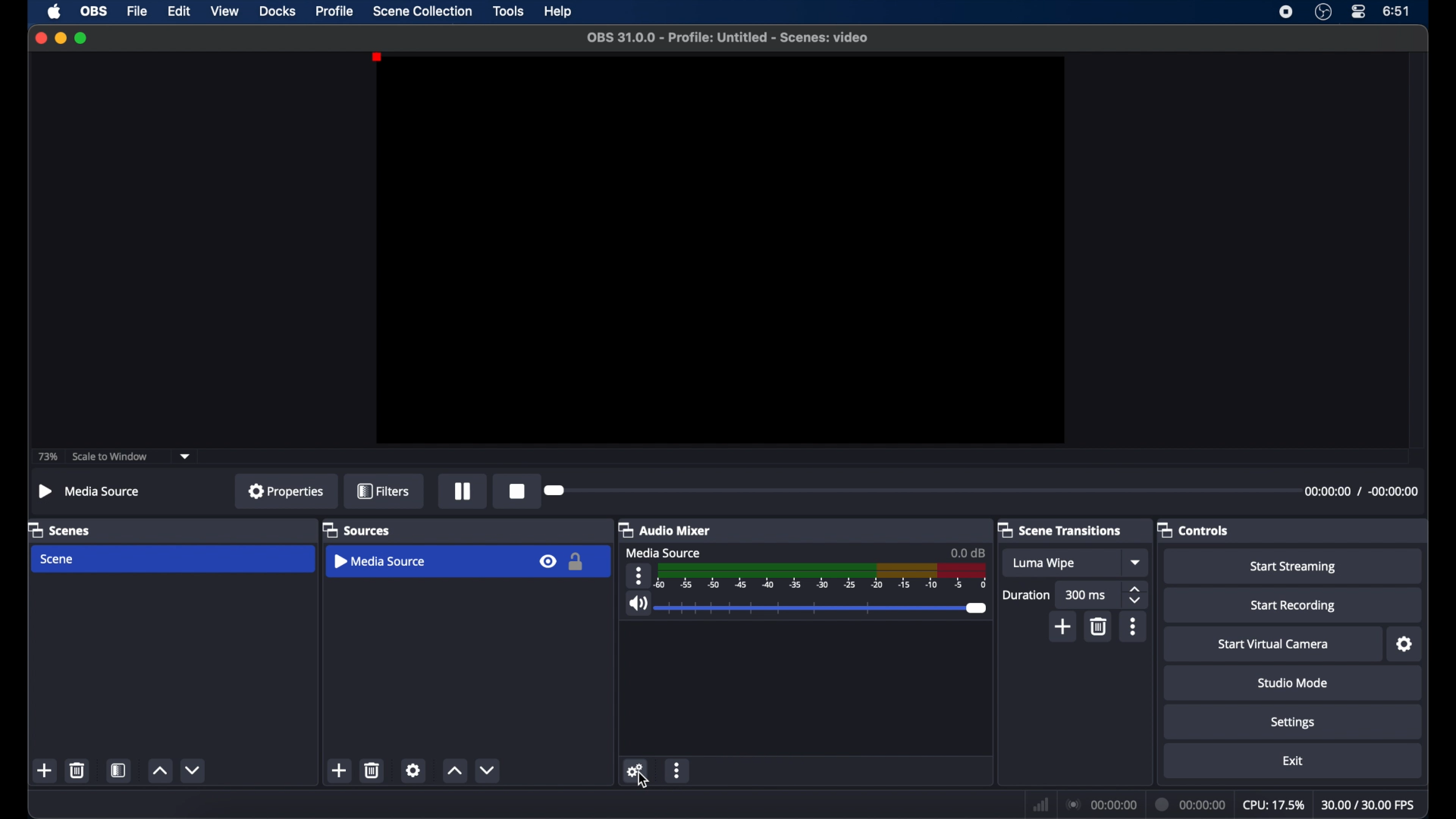 The width and height of the screenshot is (1456, 819). What do you see at coordinates (1136, 562) in the screenshot?
I see `dropdown` at bounding box center [1136, 562].